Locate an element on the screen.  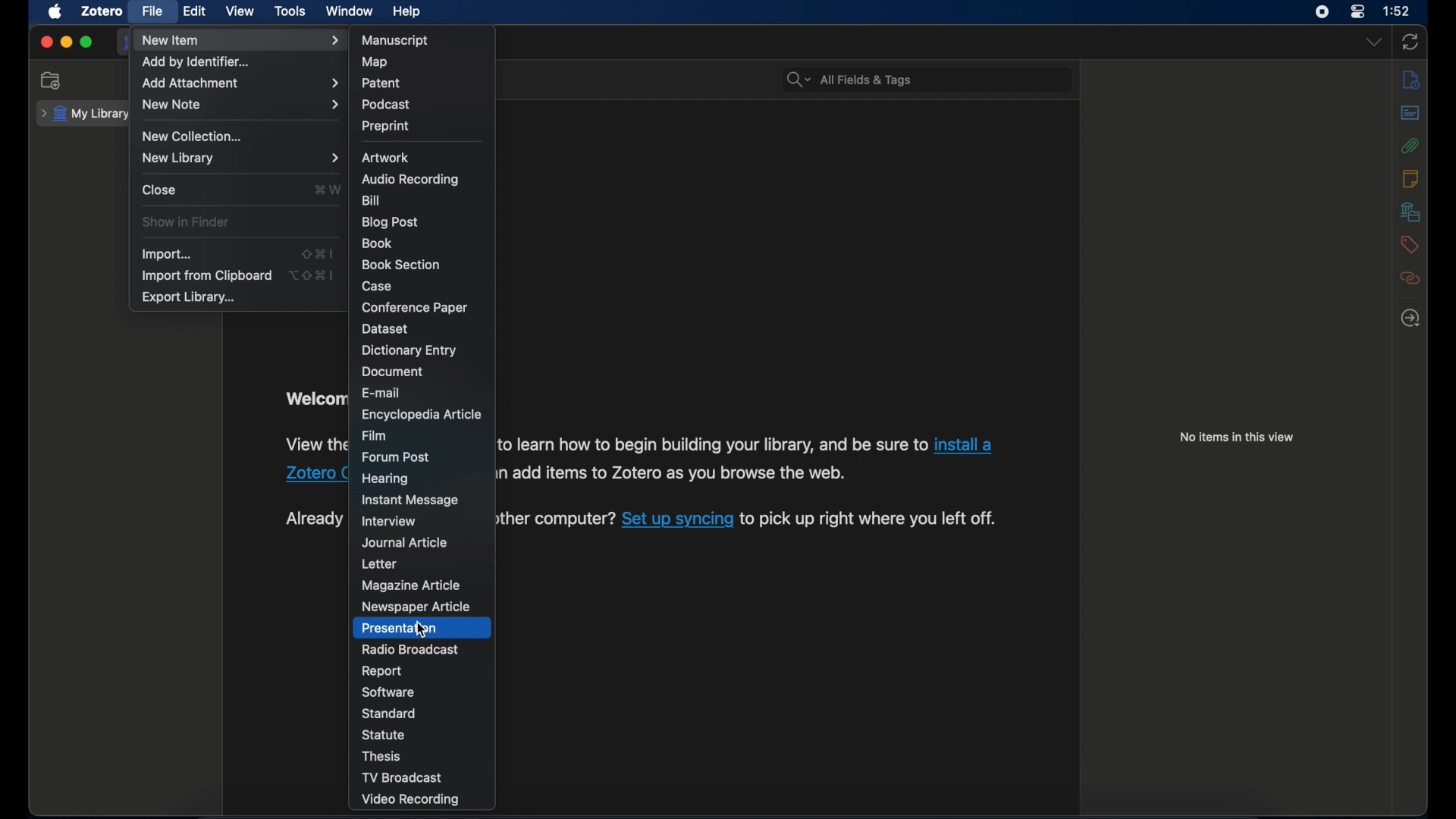
new item is located at coordinates (240, 40).